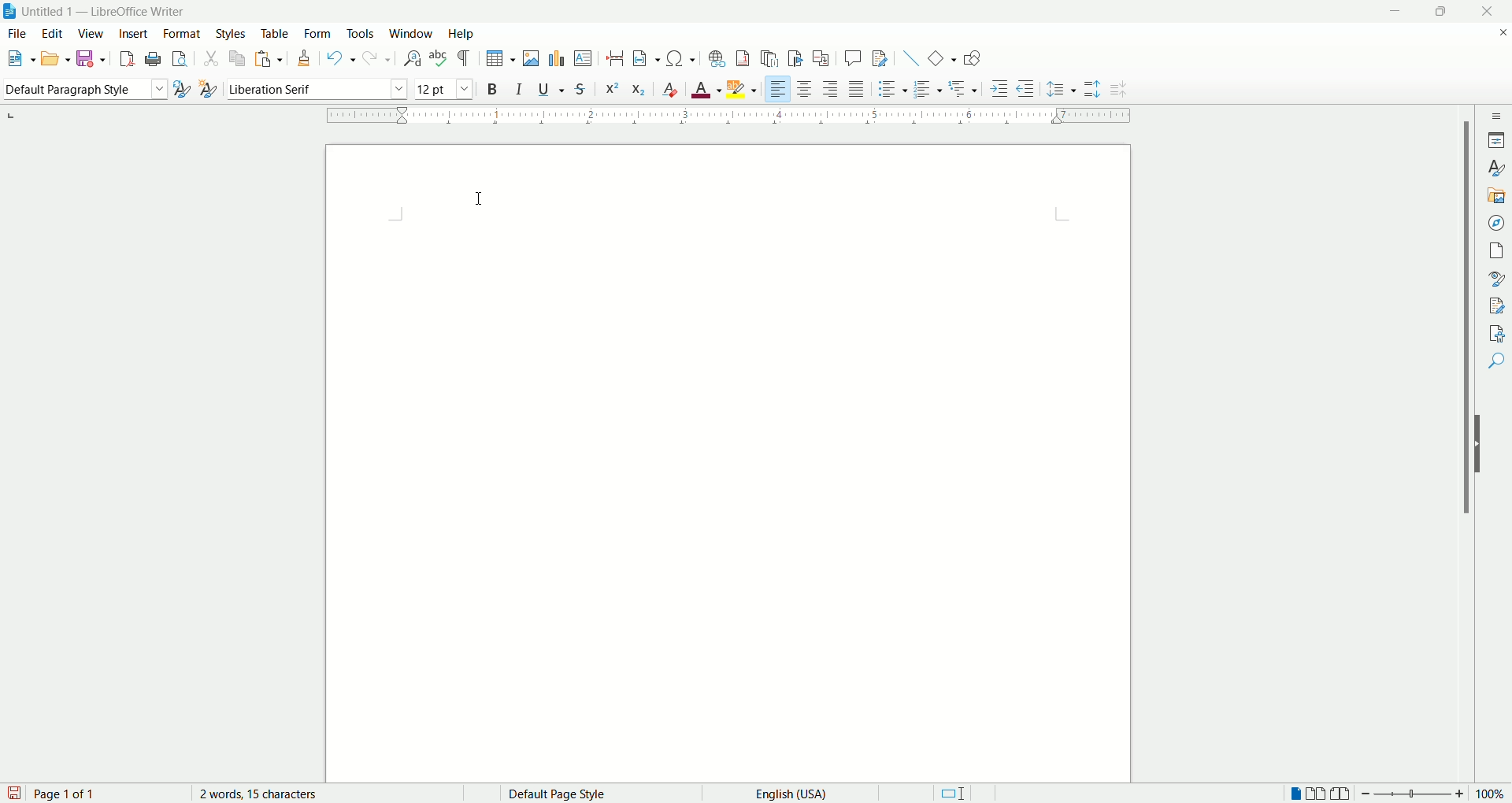 The height and width of the screenshot is (803, 1512). I want to click on insert table, so click(498, 60).